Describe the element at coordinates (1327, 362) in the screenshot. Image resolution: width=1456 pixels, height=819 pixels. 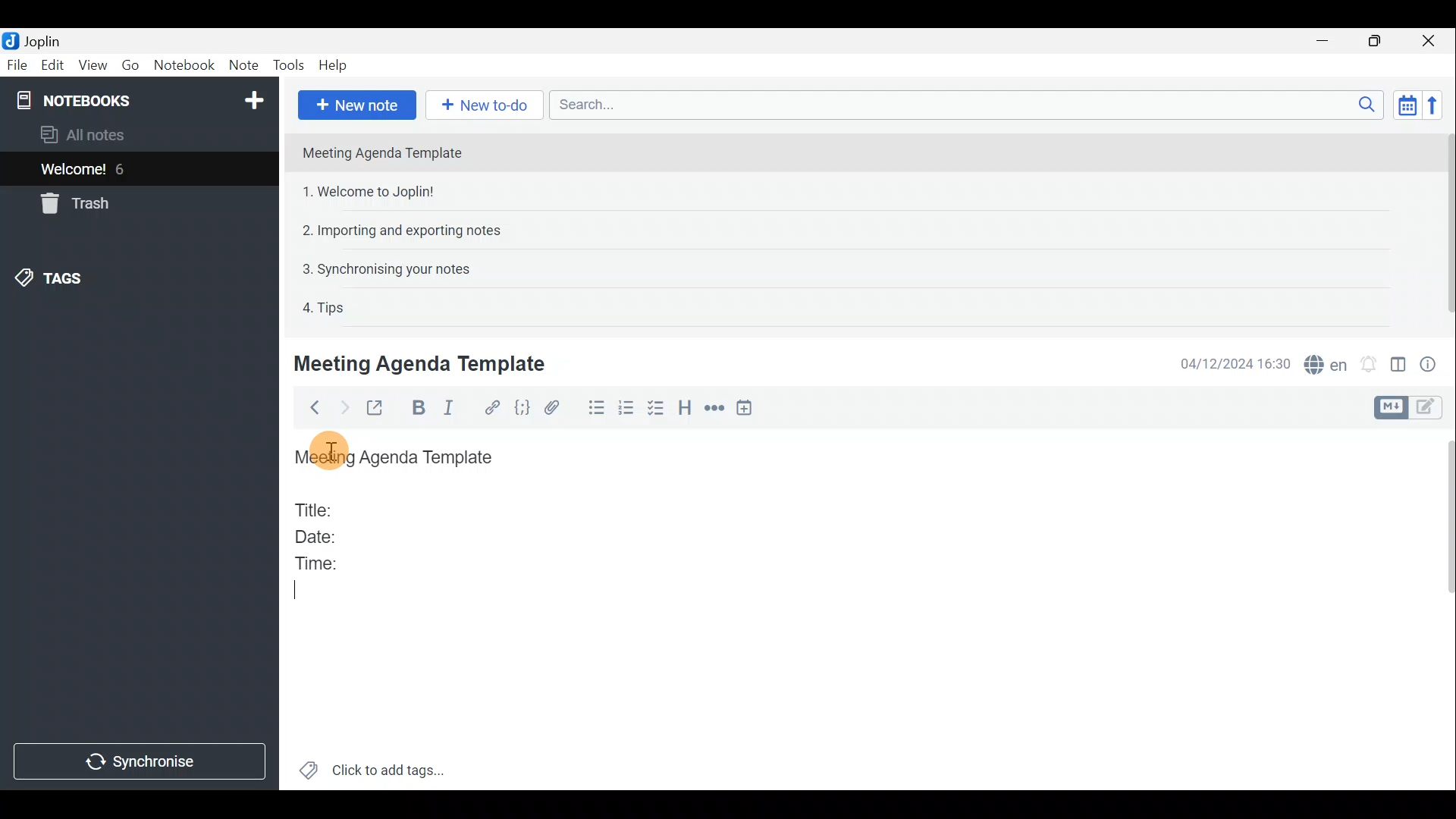
I see `Spell checker` at that location.